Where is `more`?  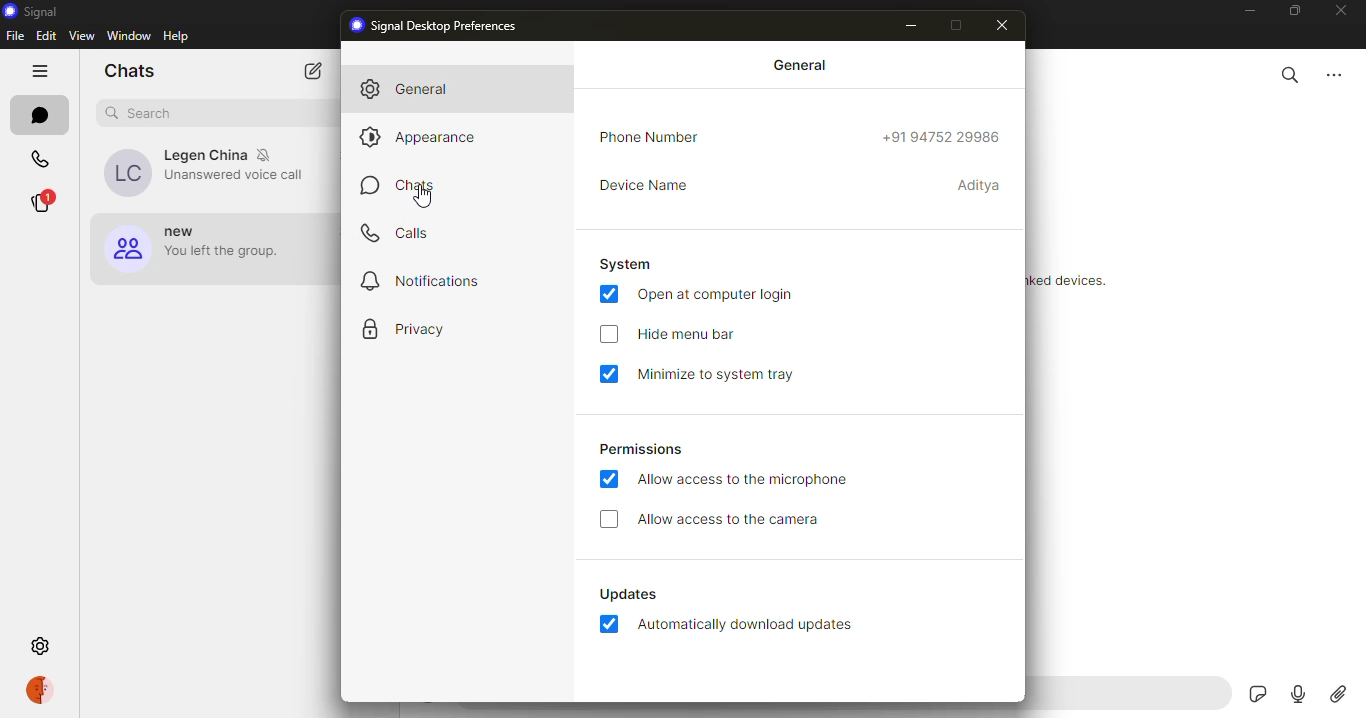 more is located at coordinates (1335, 75).